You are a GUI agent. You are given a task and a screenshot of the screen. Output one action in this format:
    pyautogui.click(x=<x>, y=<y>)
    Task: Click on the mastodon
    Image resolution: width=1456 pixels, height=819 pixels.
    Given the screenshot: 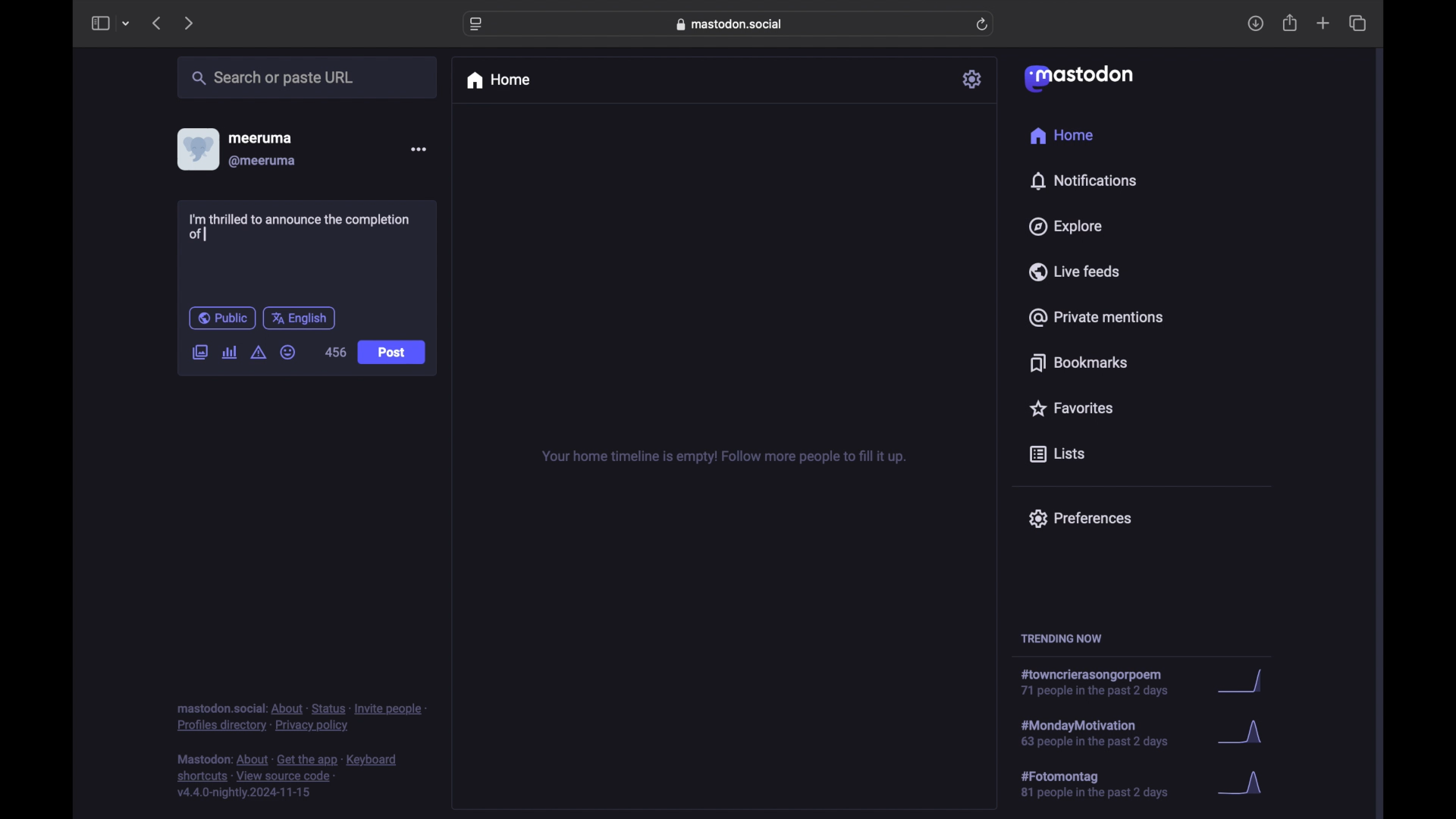 What is the action you would take?
    pyautogui.click(x=1079, y=79)
    